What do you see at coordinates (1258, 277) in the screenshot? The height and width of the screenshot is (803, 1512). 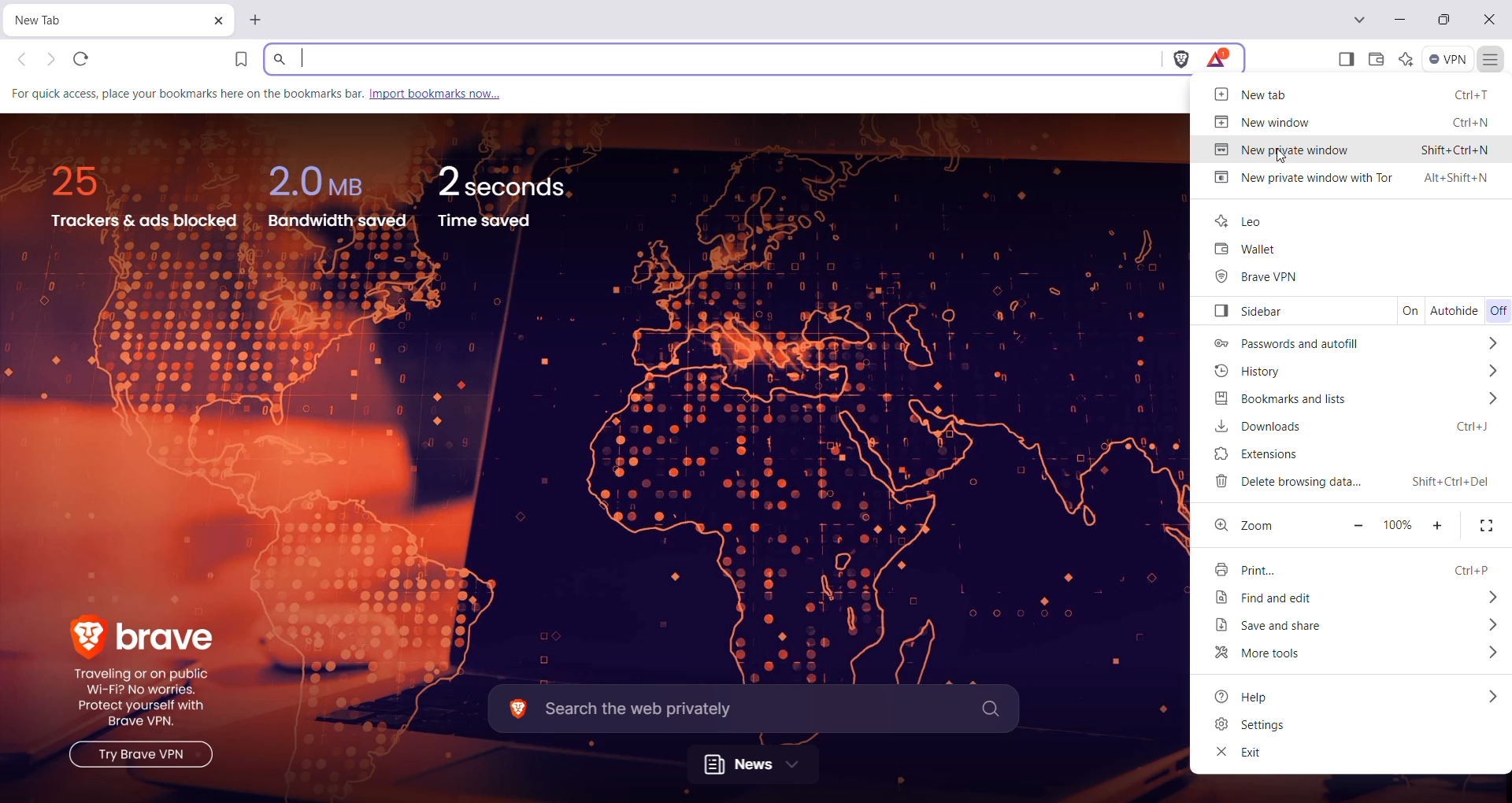 I see `Brave VPN` at bounding box center [1258, 277].